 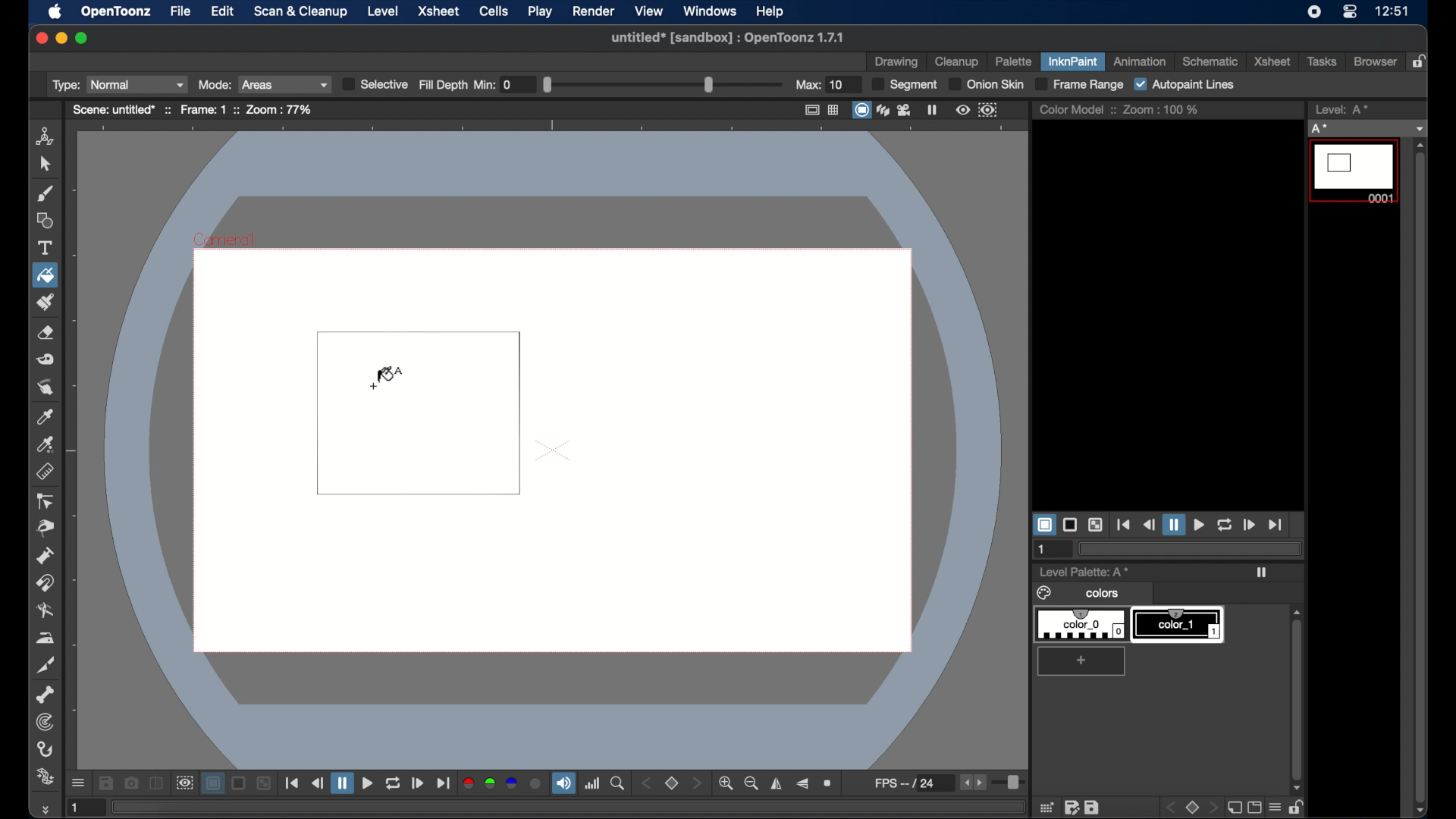 I want to click on minimize, so click(x=61, y=38).